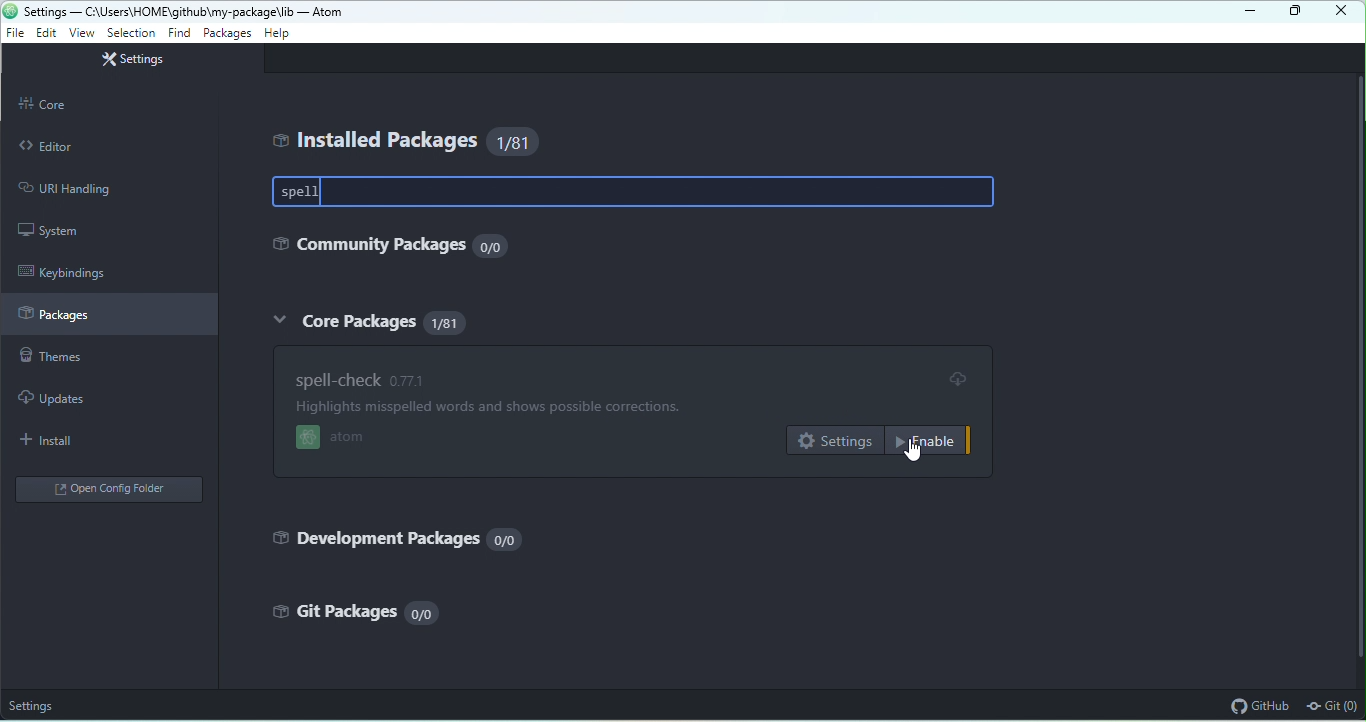 This screenshot has width=1366, height=722. Describe the element at coordinates (441, 321) in the screenshot. I see `81` at that location.